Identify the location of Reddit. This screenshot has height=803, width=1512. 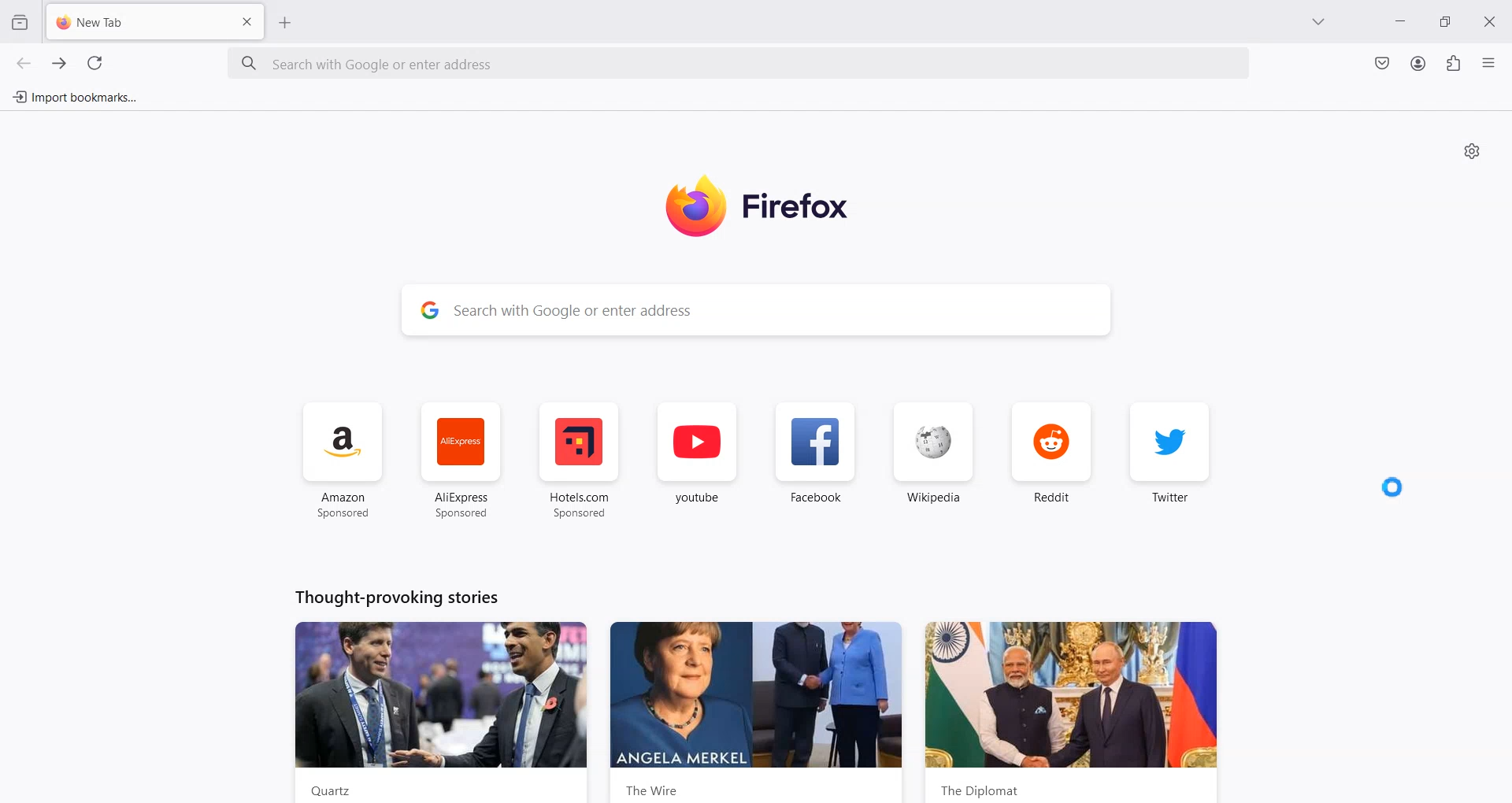
(1051, 457).